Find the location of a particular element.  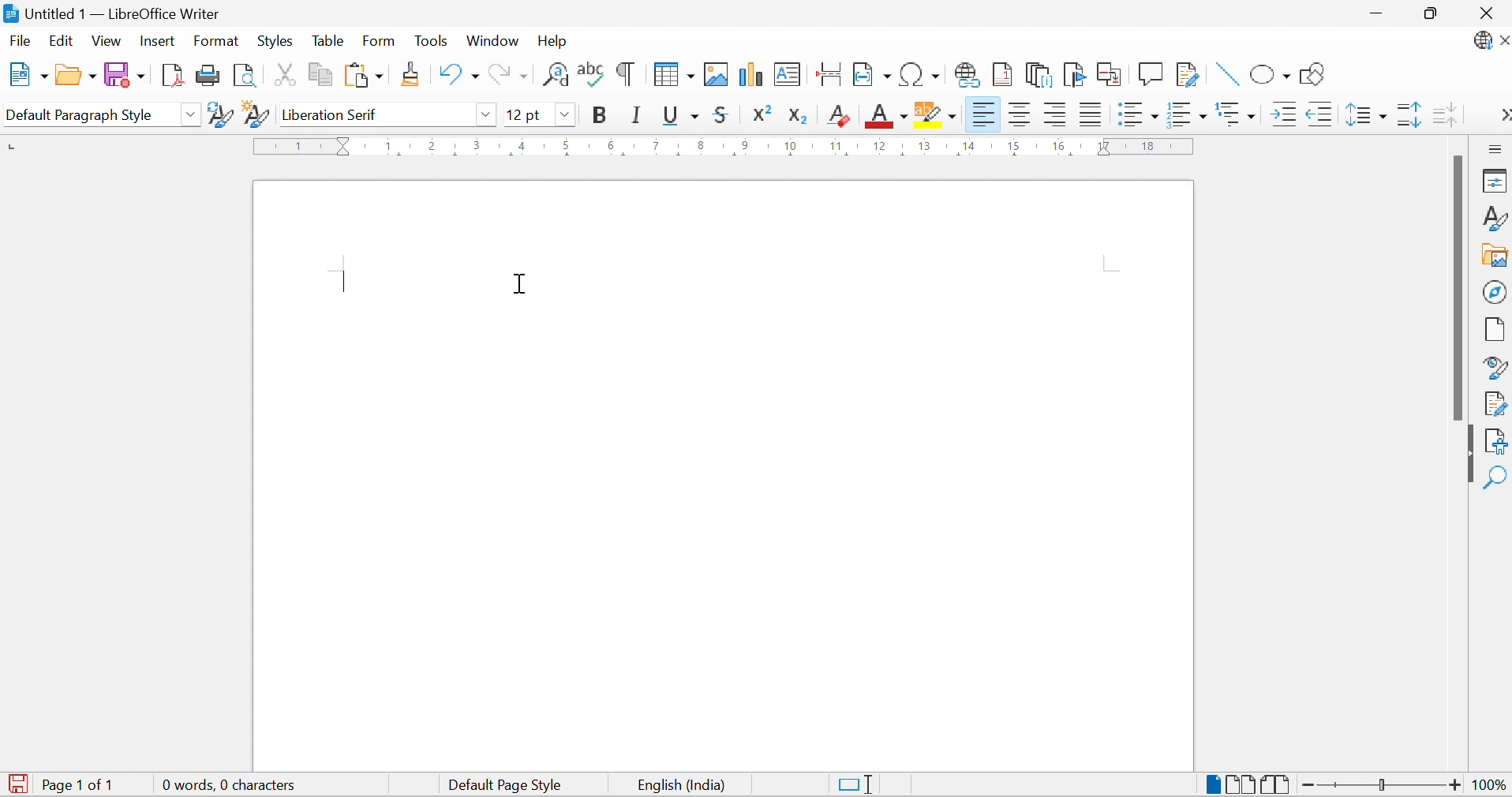

Manage Changes is located at coordinates (1496, 405).